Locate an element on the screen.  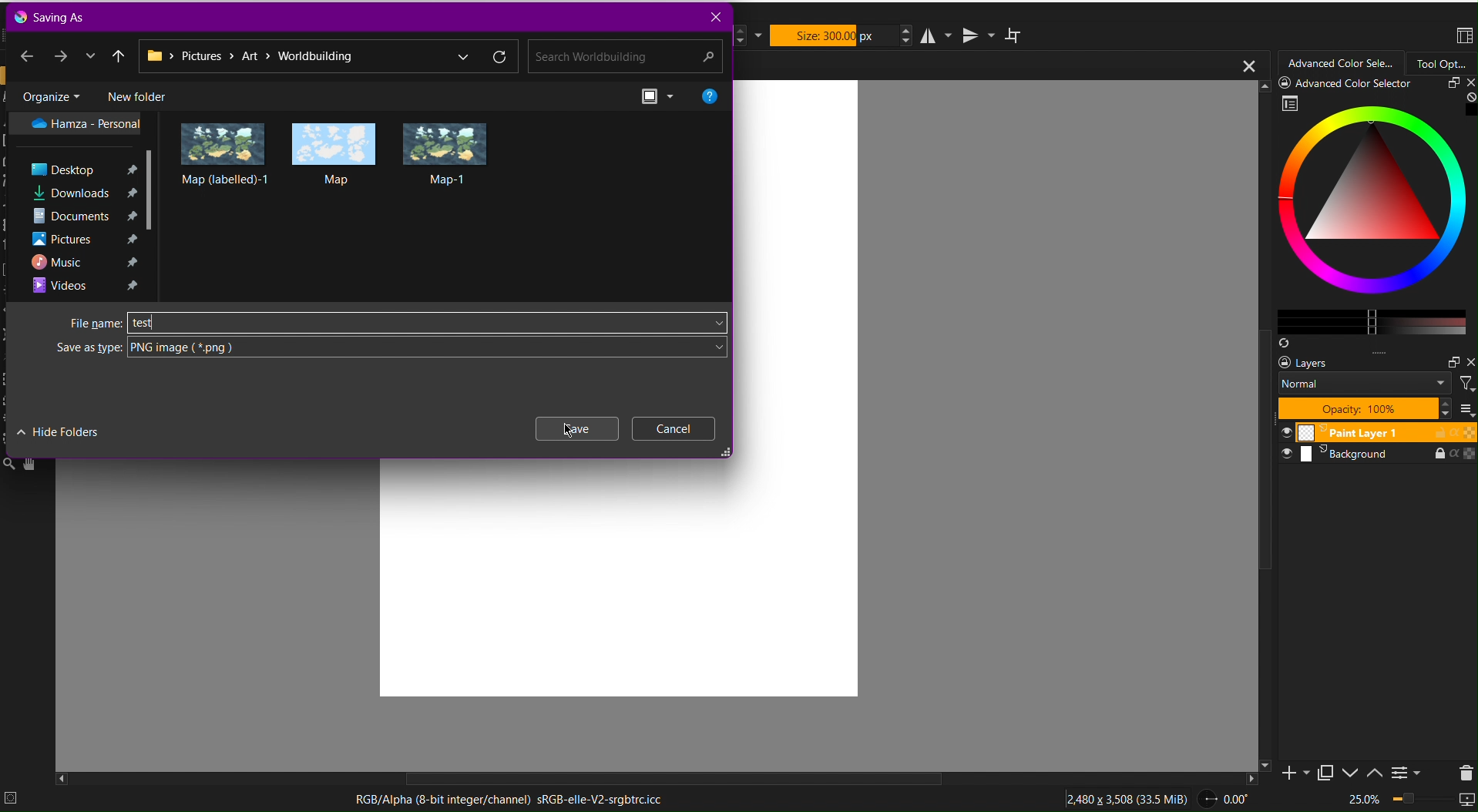
Dimensions is located at coordinates (1130, 797).